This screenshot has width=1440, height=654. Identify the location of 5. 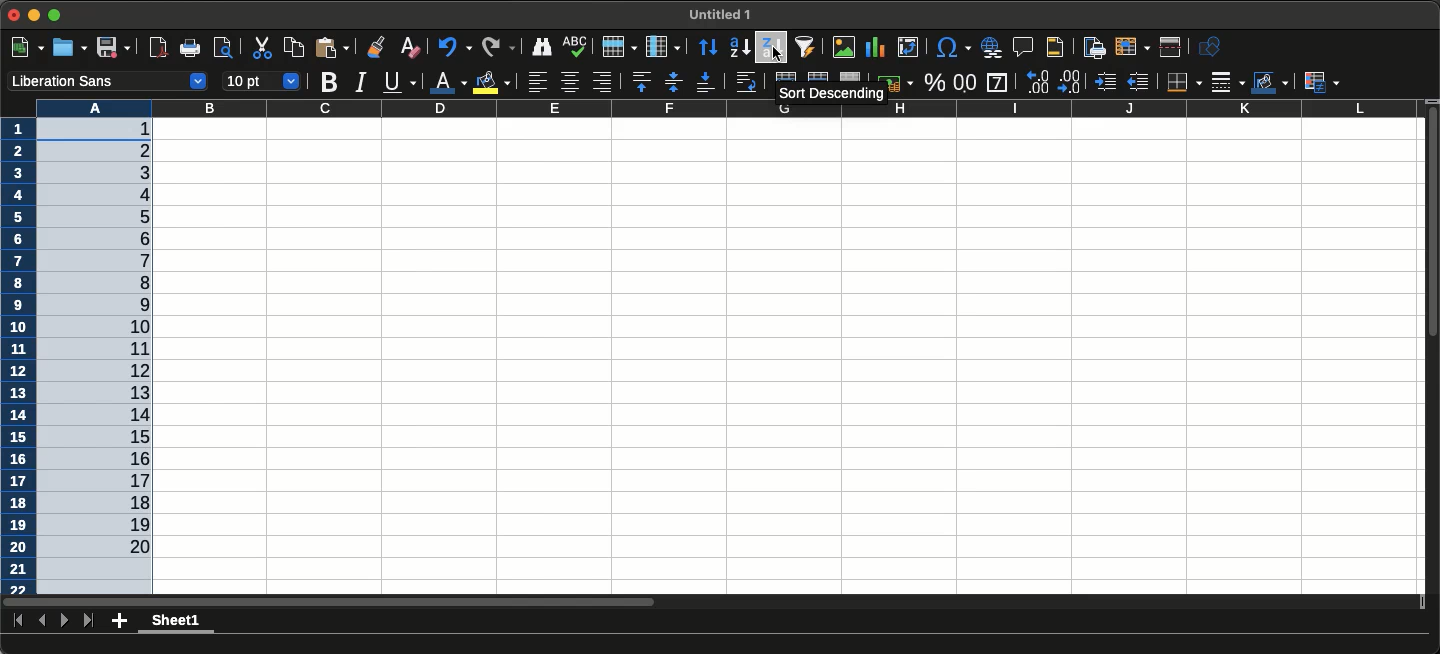
(135, 218).